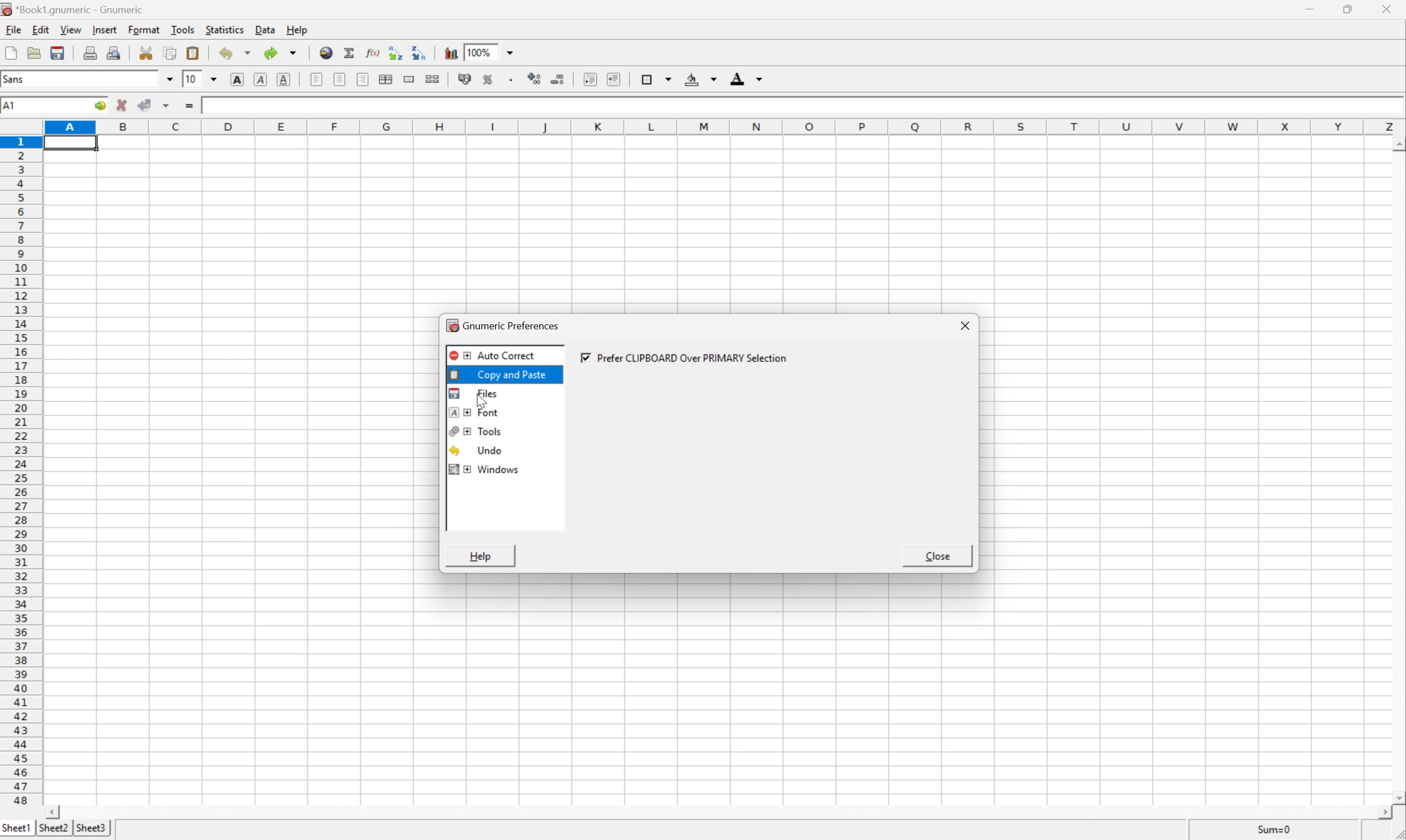  I want to click on Formula bar, so click(798, 110).